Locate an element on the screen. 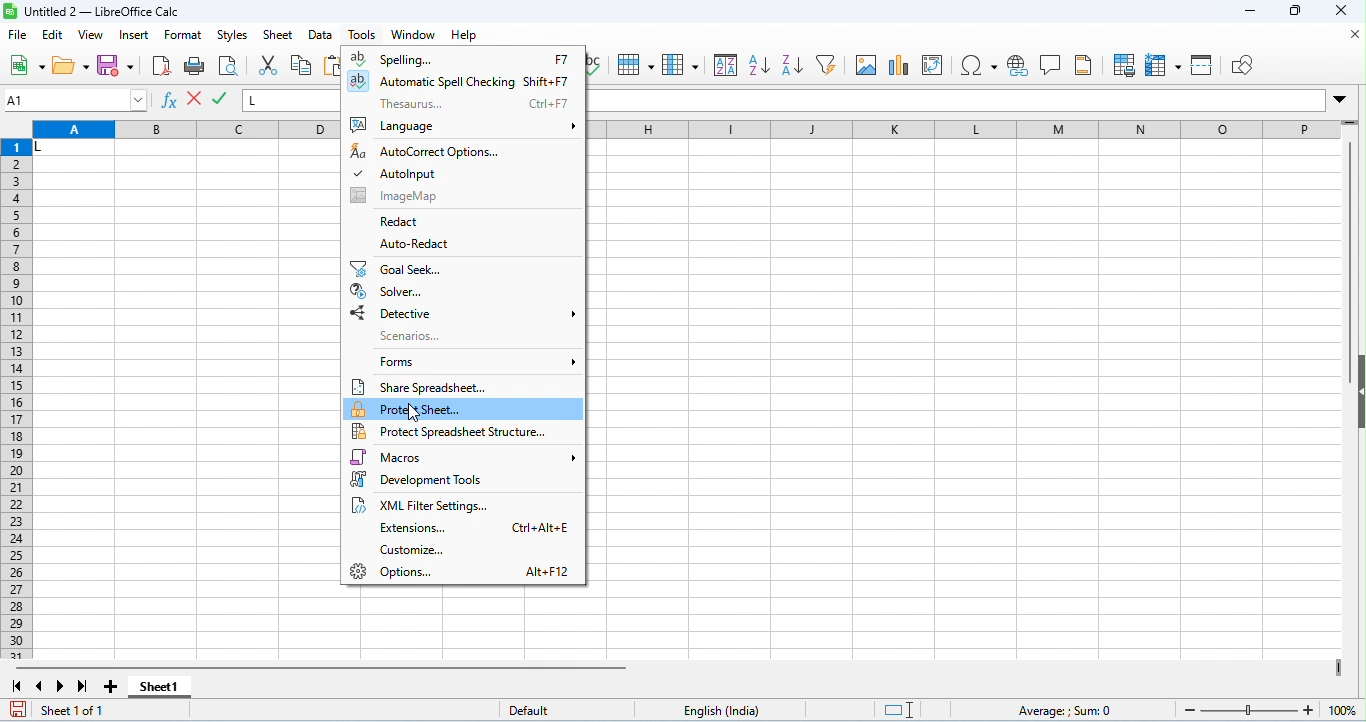  forms is located at coordinates (476, 361).